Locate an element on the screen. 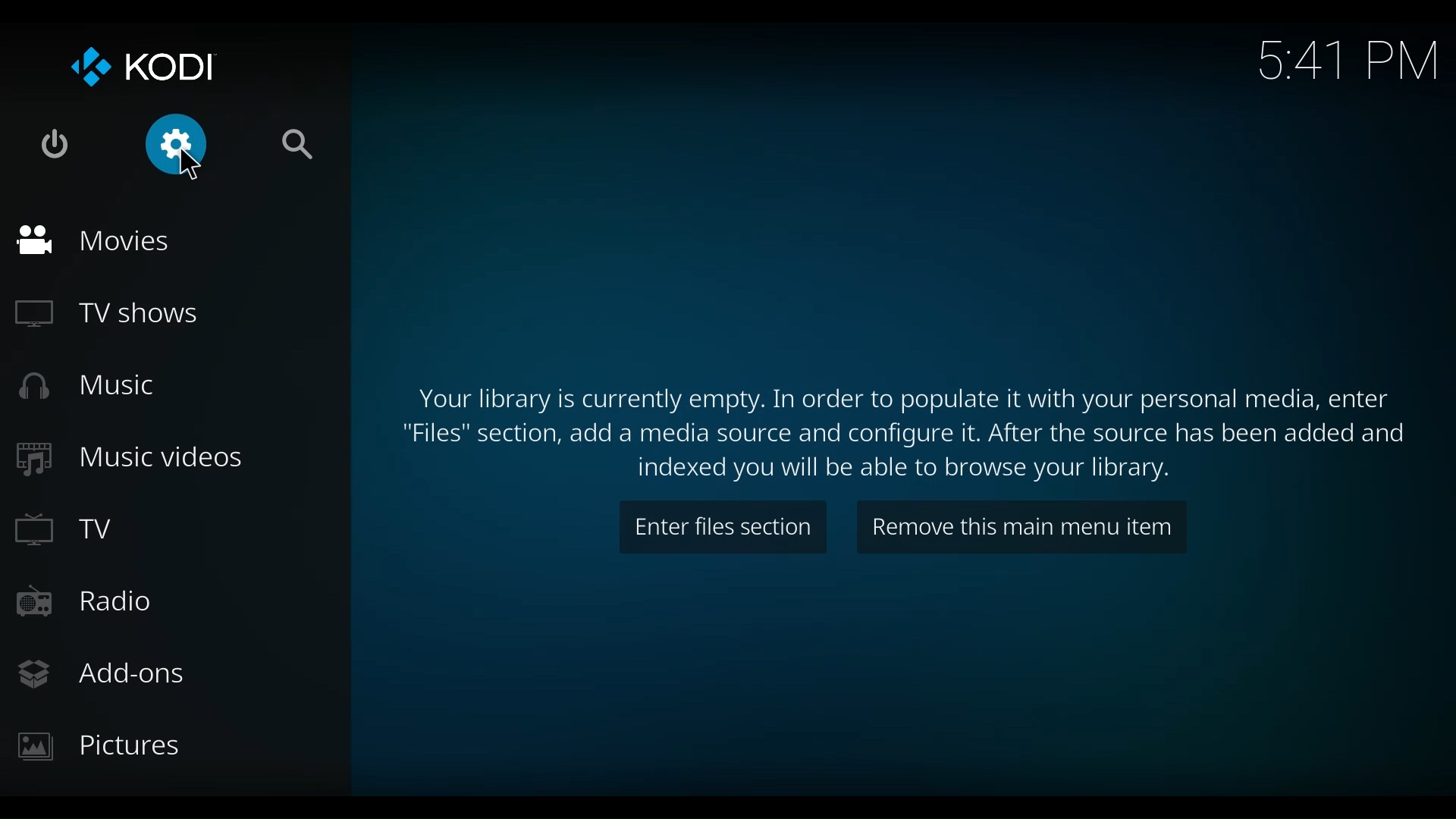 This screenshot has width=1456, height=819. cursor is located at coordinates (190, 165).